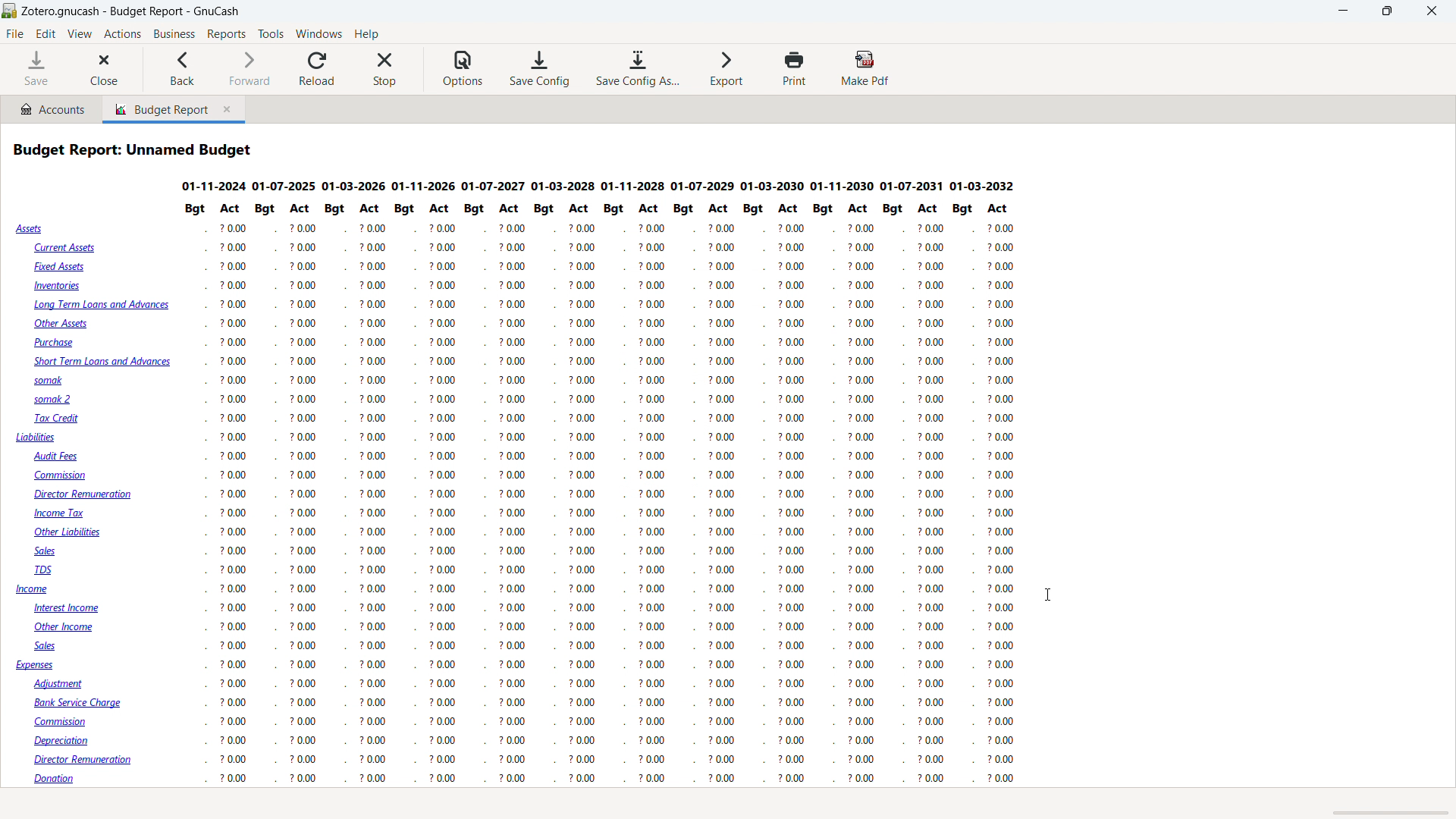 This screenshot has width=1456, height=819. What do you see at coordinates (246, 69) in the screenshot?
I see `forward` at bounding box center [246, 69].